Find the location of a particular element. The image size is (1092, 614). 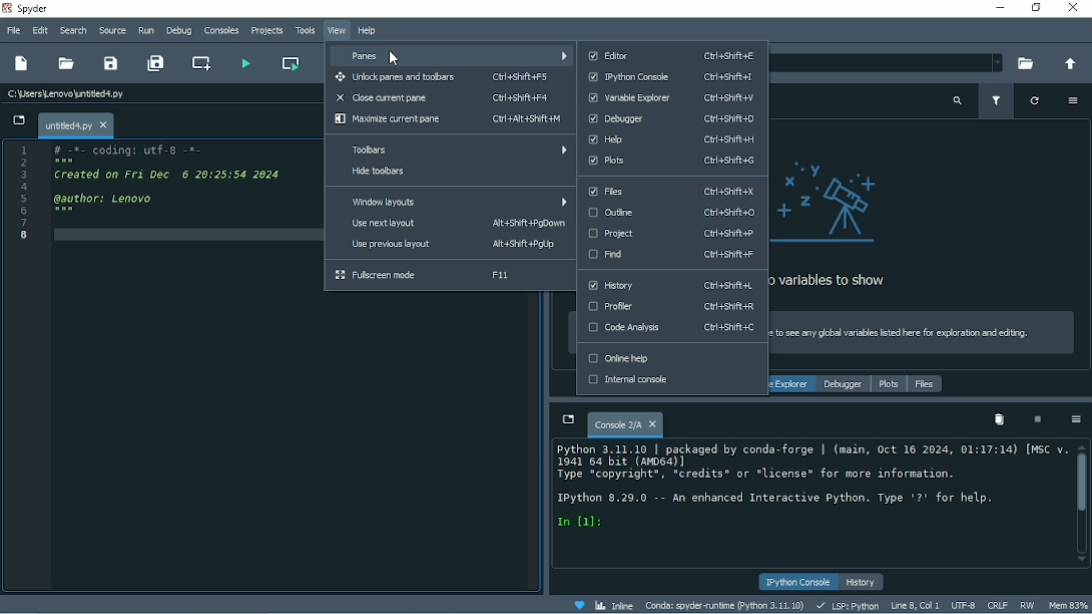

Projects is located at coordinates (267, 31).